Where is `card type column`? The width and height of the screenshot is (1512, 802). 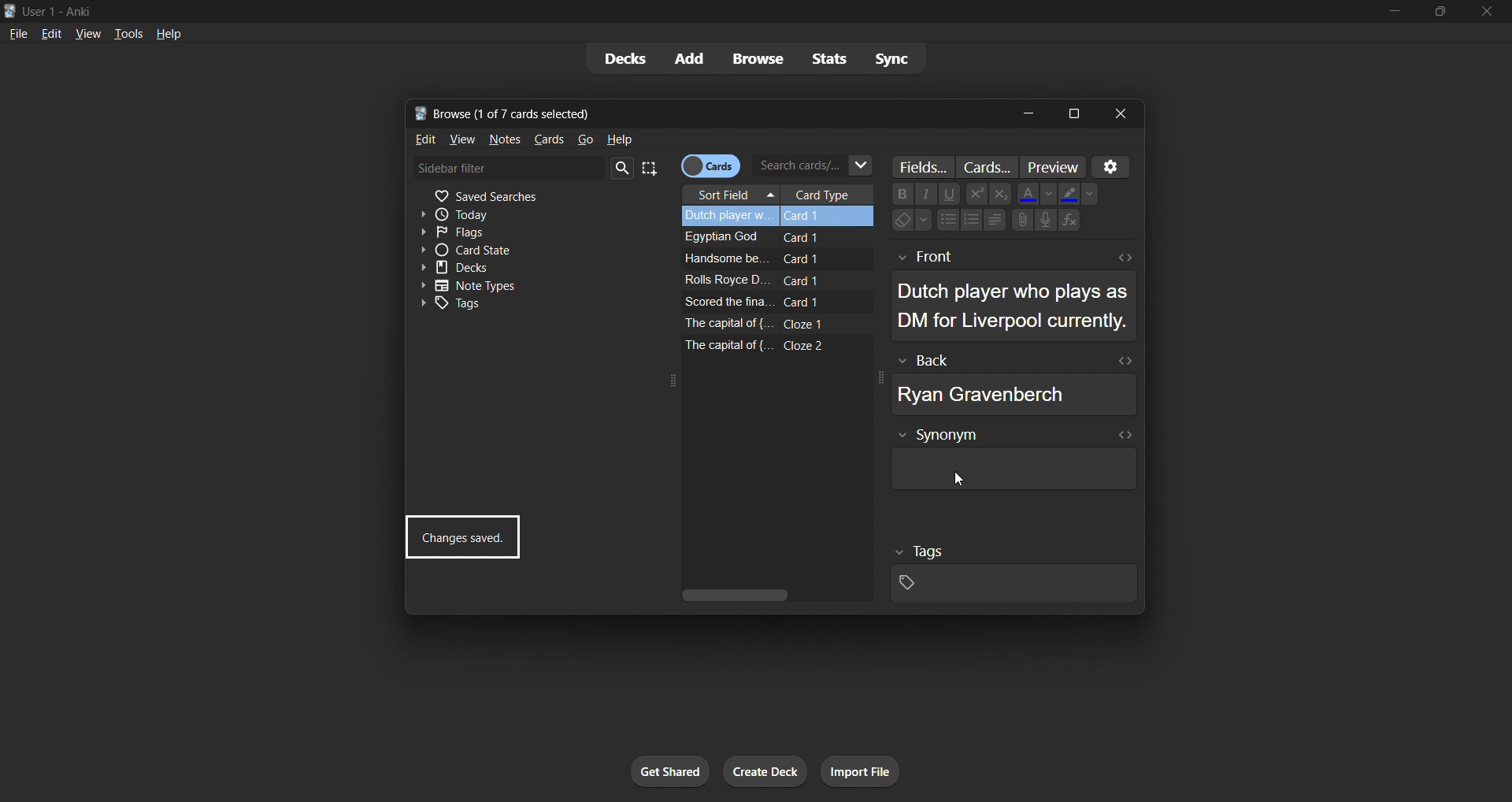 card type column is located at coordinates (831, 195).